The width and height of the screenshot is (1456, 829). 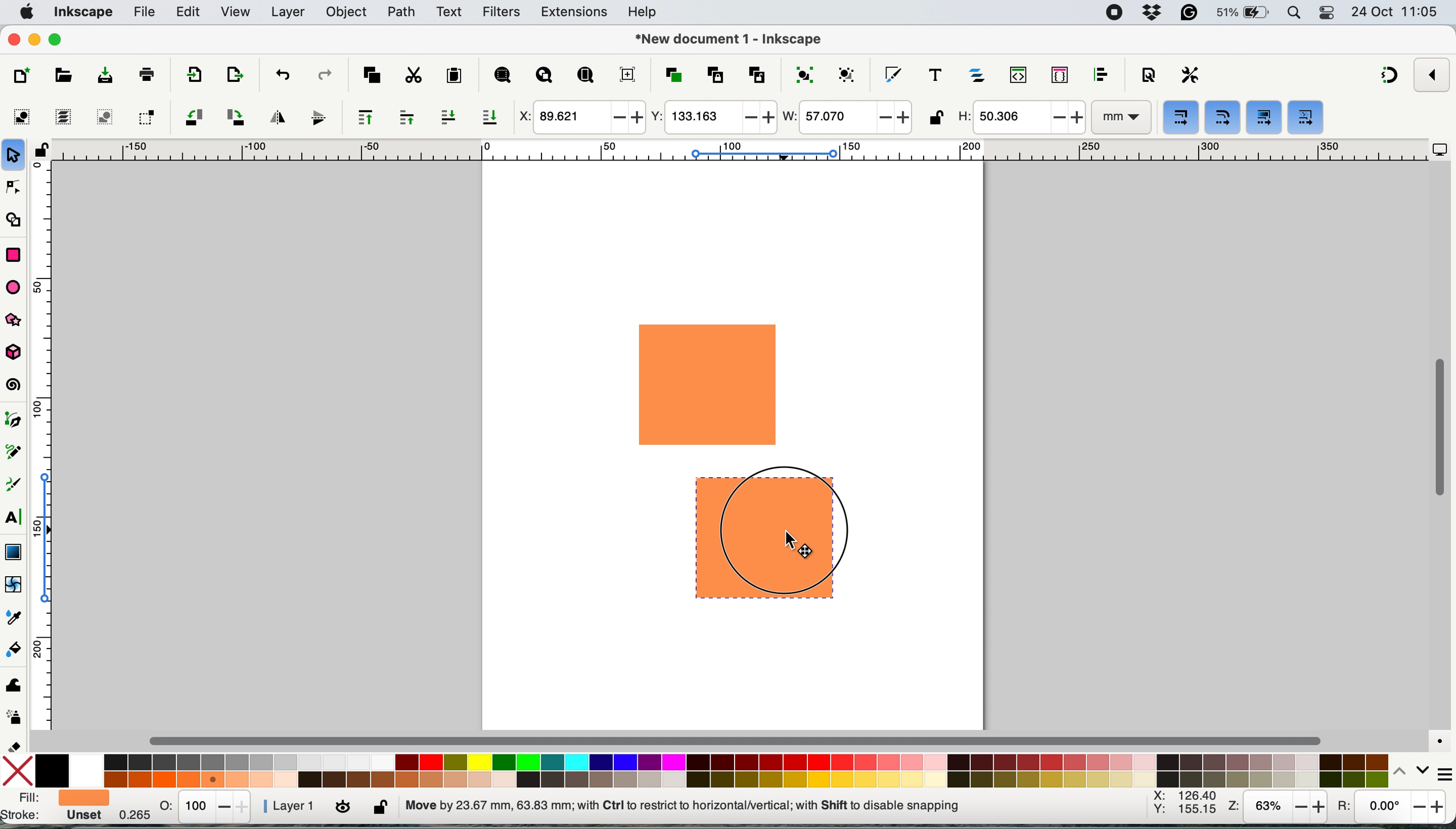 What do you see at coordinates (14, 40) in the screenshot?
I see `close` at bounding box center [14, 40].